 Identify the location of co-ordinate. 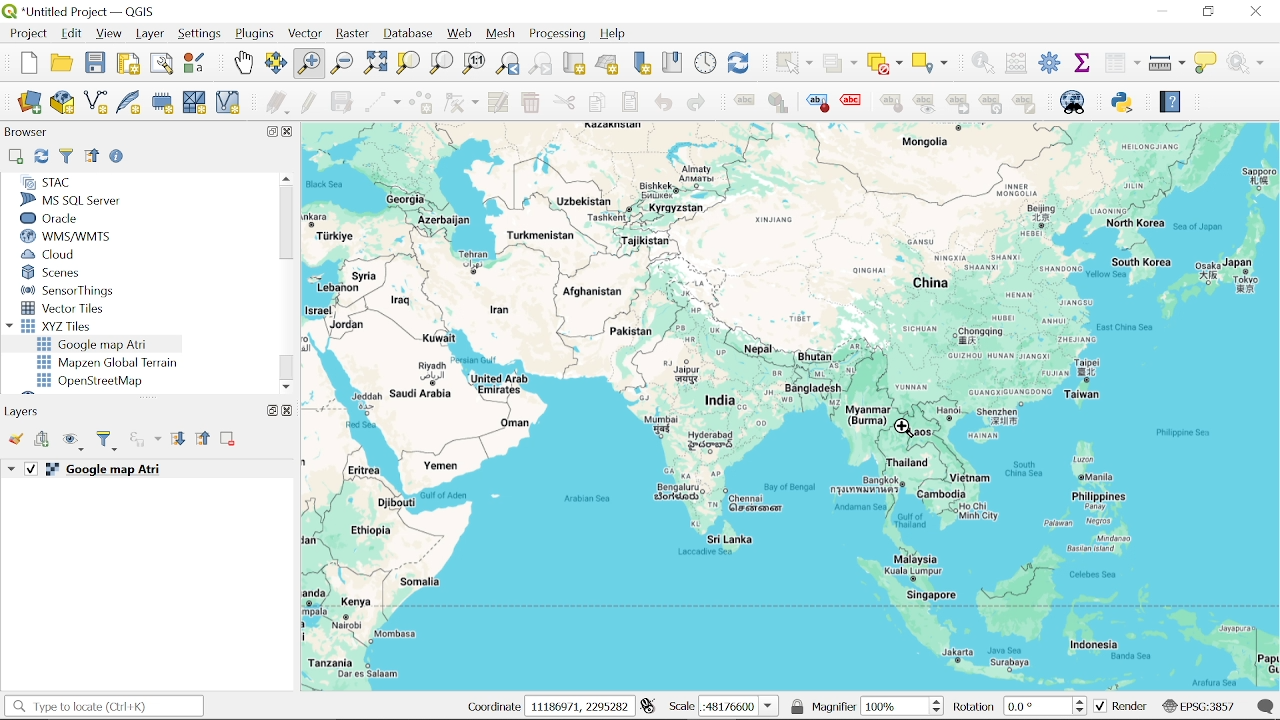
(488, 707).